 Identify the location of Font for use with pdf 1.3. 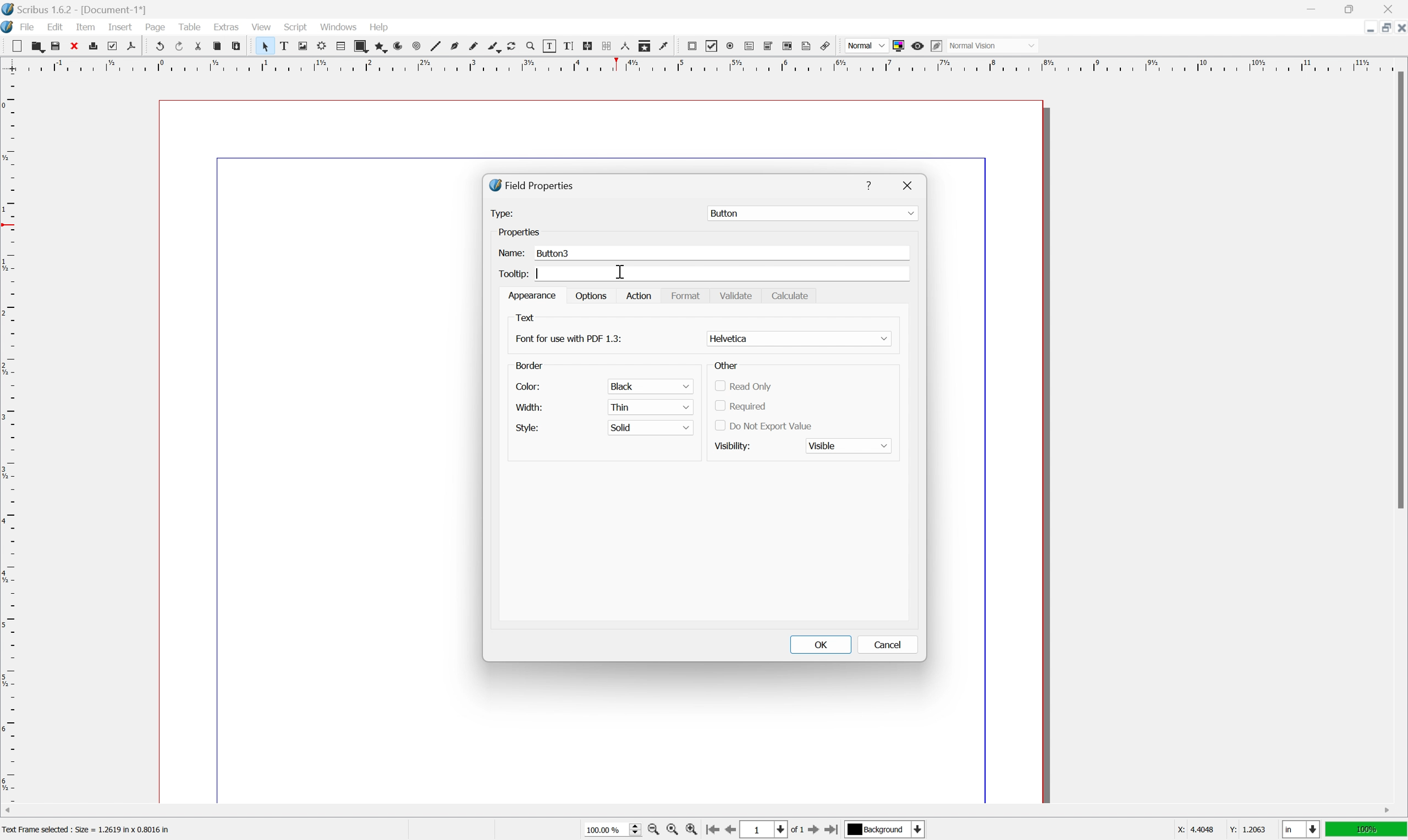
(570, 338).